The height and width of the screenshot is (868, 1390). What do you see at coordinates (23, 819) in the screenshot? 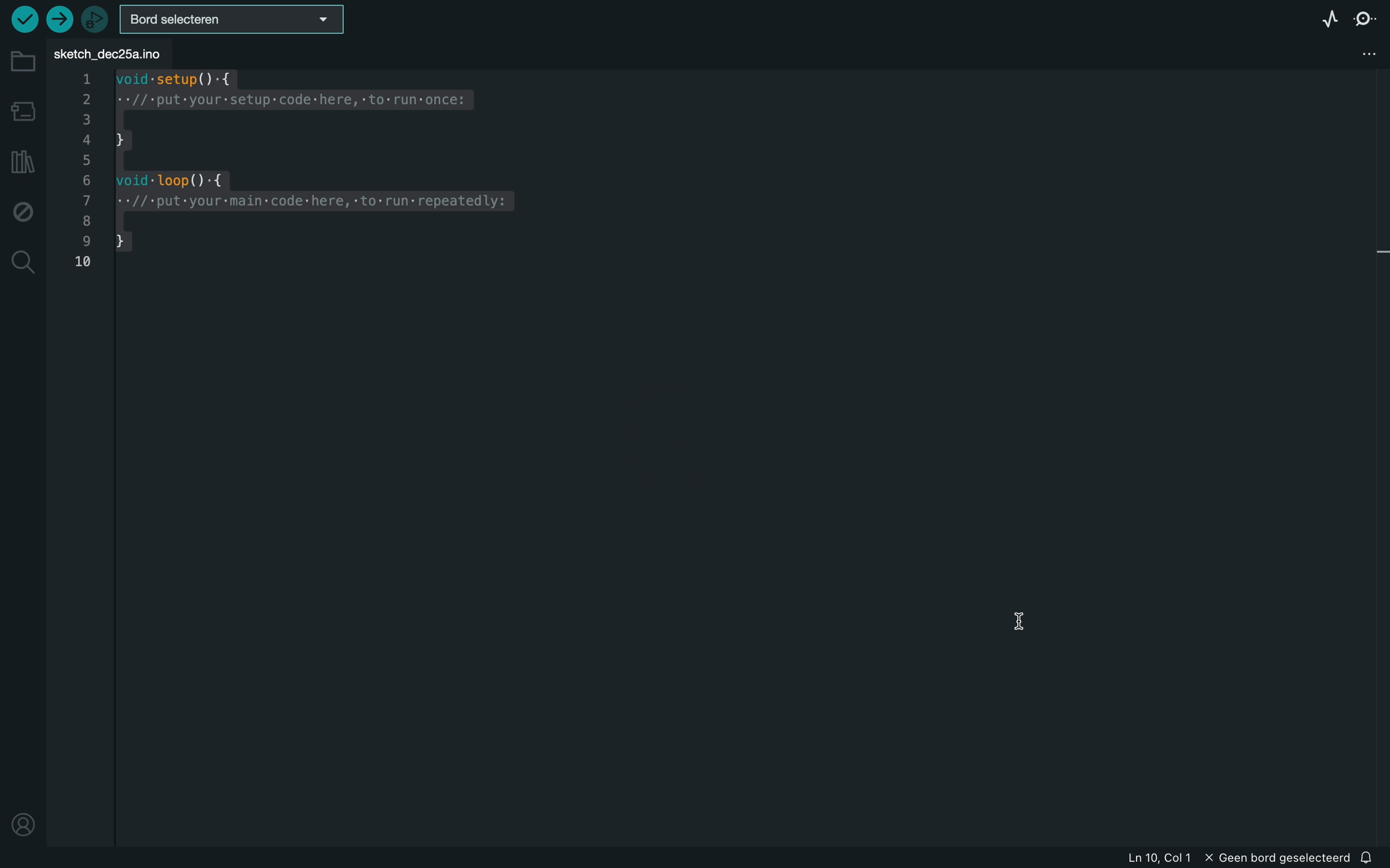
I see `profile` at bounding box center [23, 819].